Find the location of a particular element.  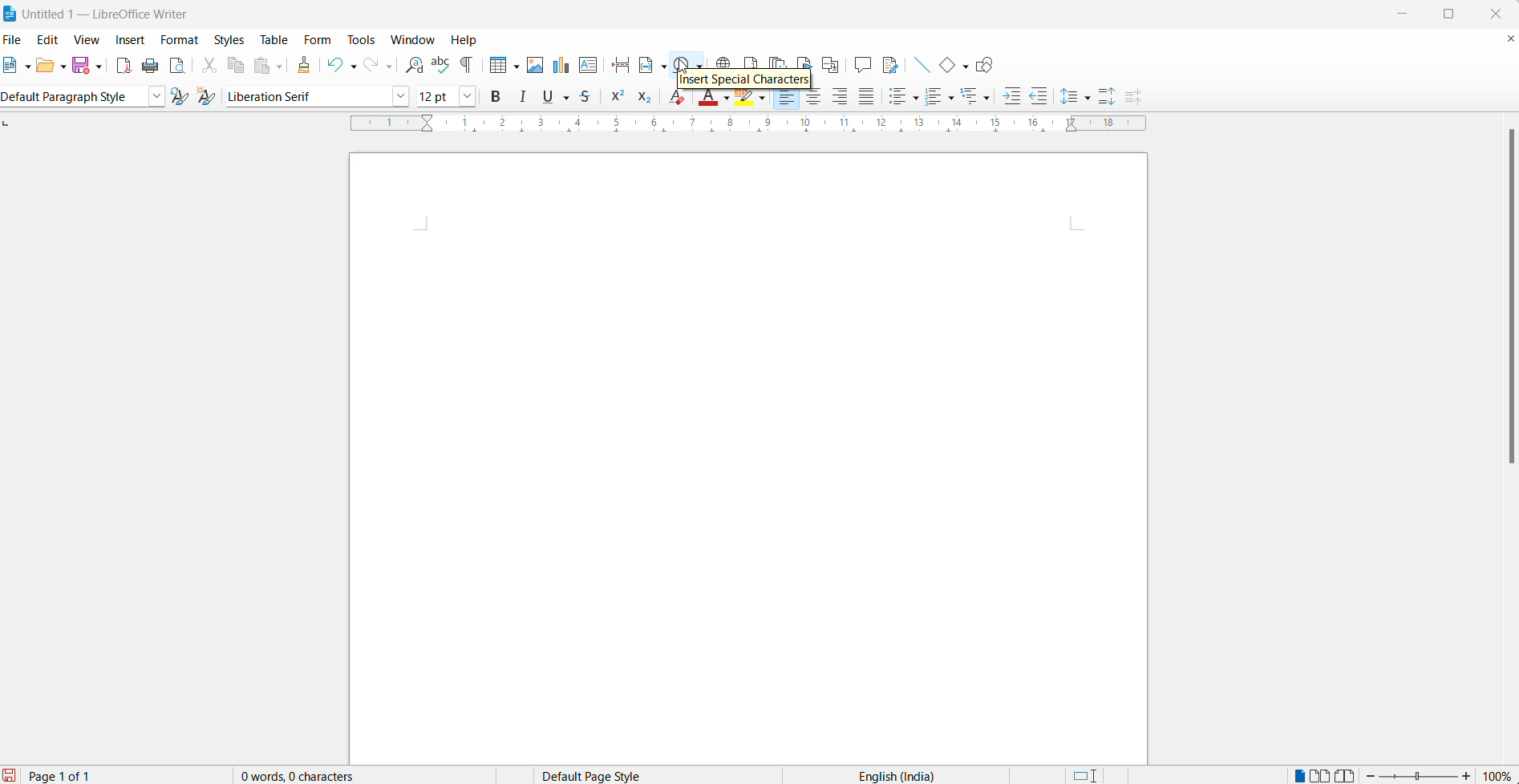

cell grid is located at coordinates (515, 64).